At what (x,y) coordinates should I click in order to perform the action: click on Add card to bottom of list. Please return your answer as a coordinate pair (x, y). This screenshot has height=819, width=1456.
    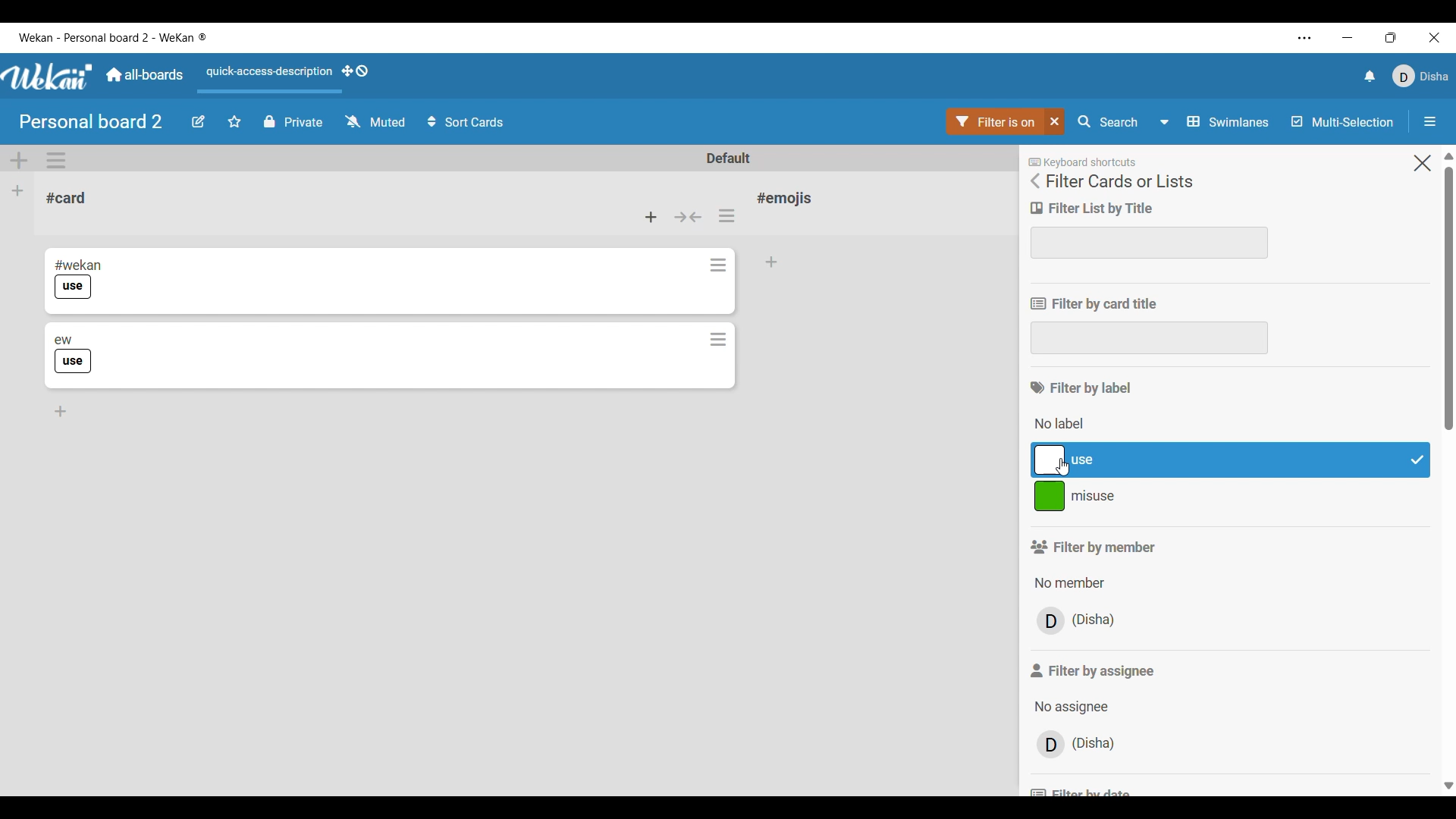
    Looking at the image, I should click on (62, 411).